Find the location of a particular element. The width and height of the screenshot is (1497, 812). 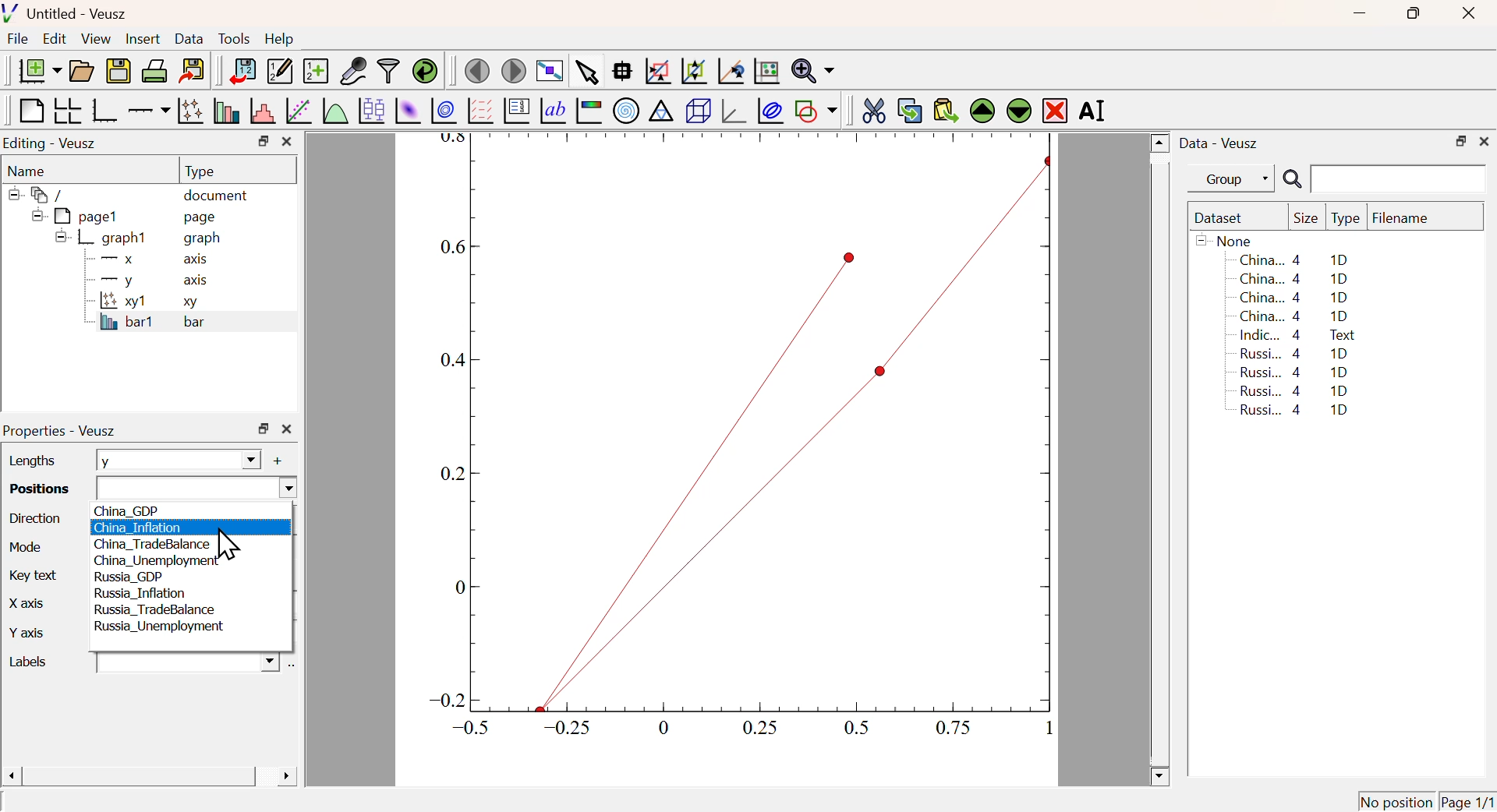

‘China_Unemployment” is located at coordinates (158, 561).